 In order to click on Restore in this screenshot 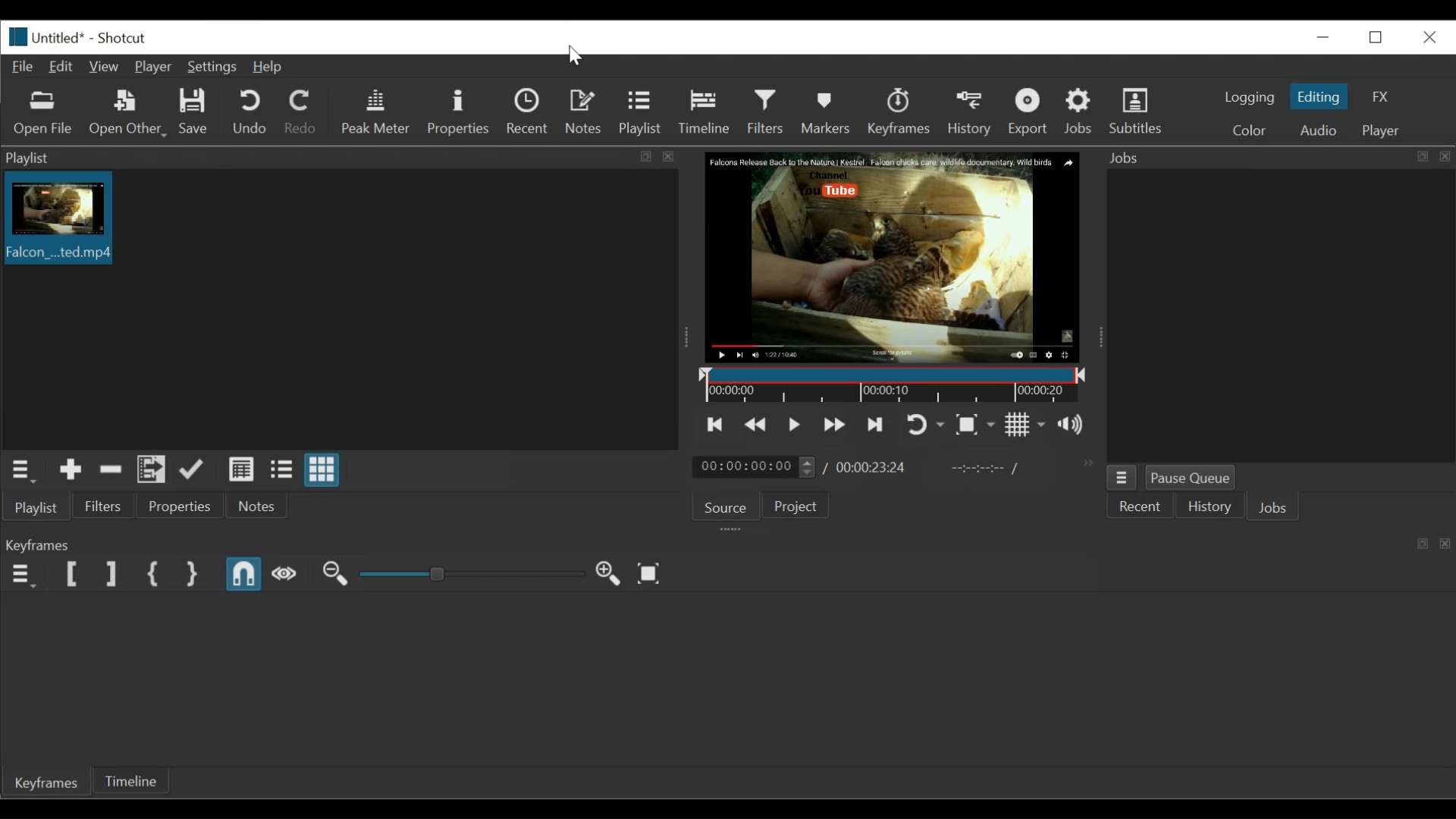, I will do `click(1373, 37)`.